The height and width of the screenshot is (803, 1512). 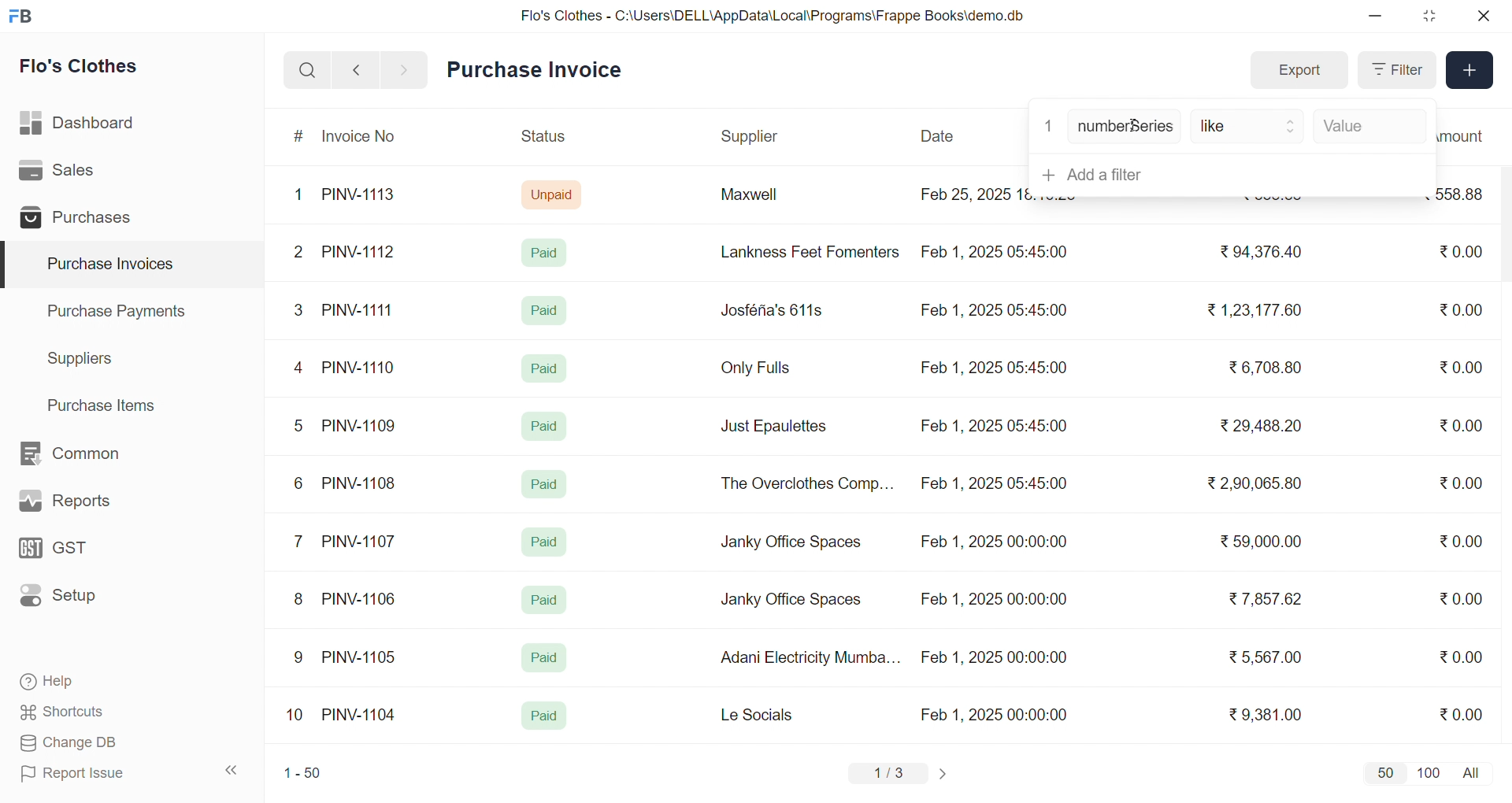 I want to click on ₹ 7,857.62, so click(x=1267, y=599).